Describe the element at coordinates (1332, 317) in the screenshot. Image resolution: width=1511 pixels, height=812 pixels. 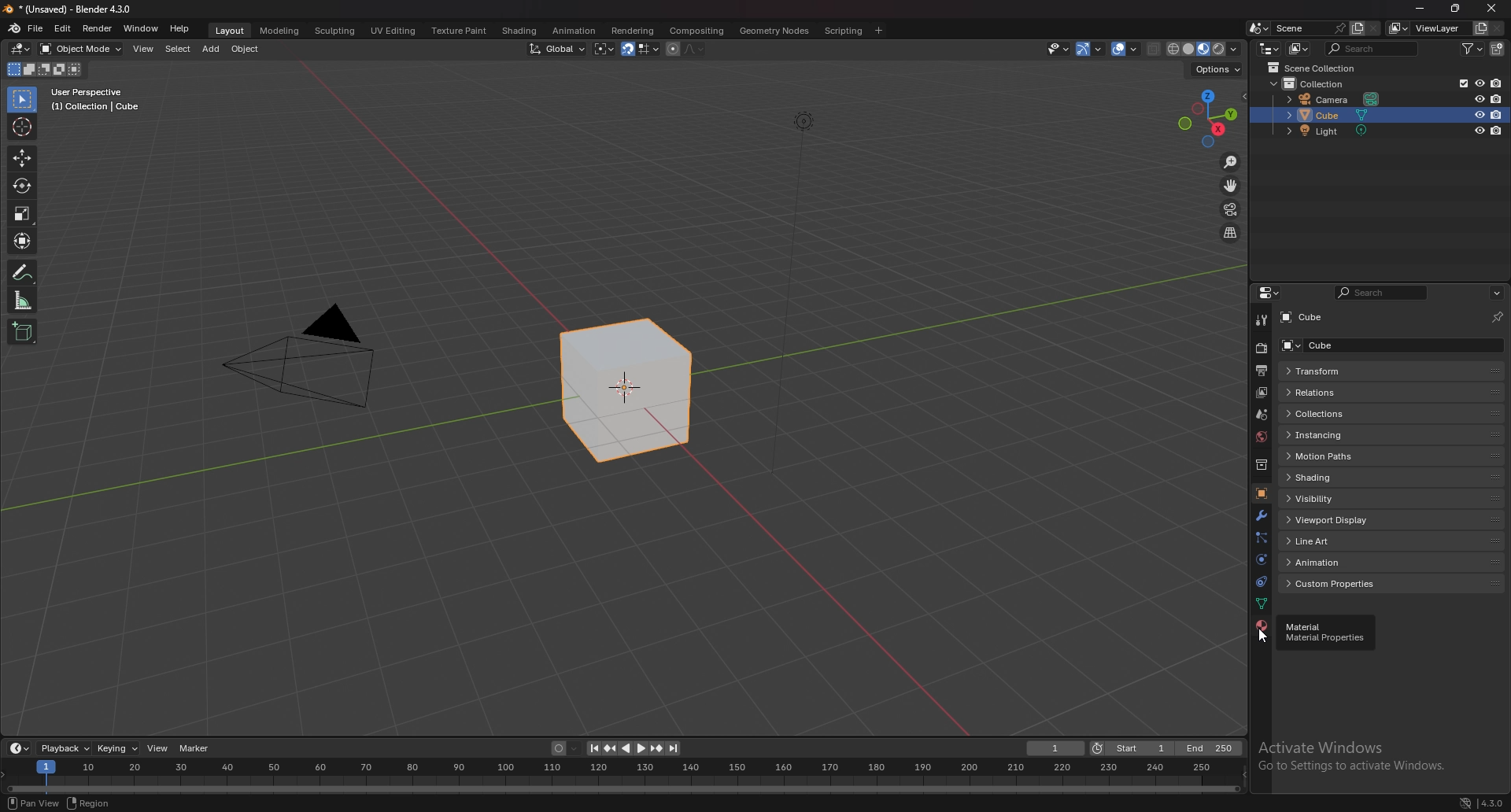
I see `cube` at that location.